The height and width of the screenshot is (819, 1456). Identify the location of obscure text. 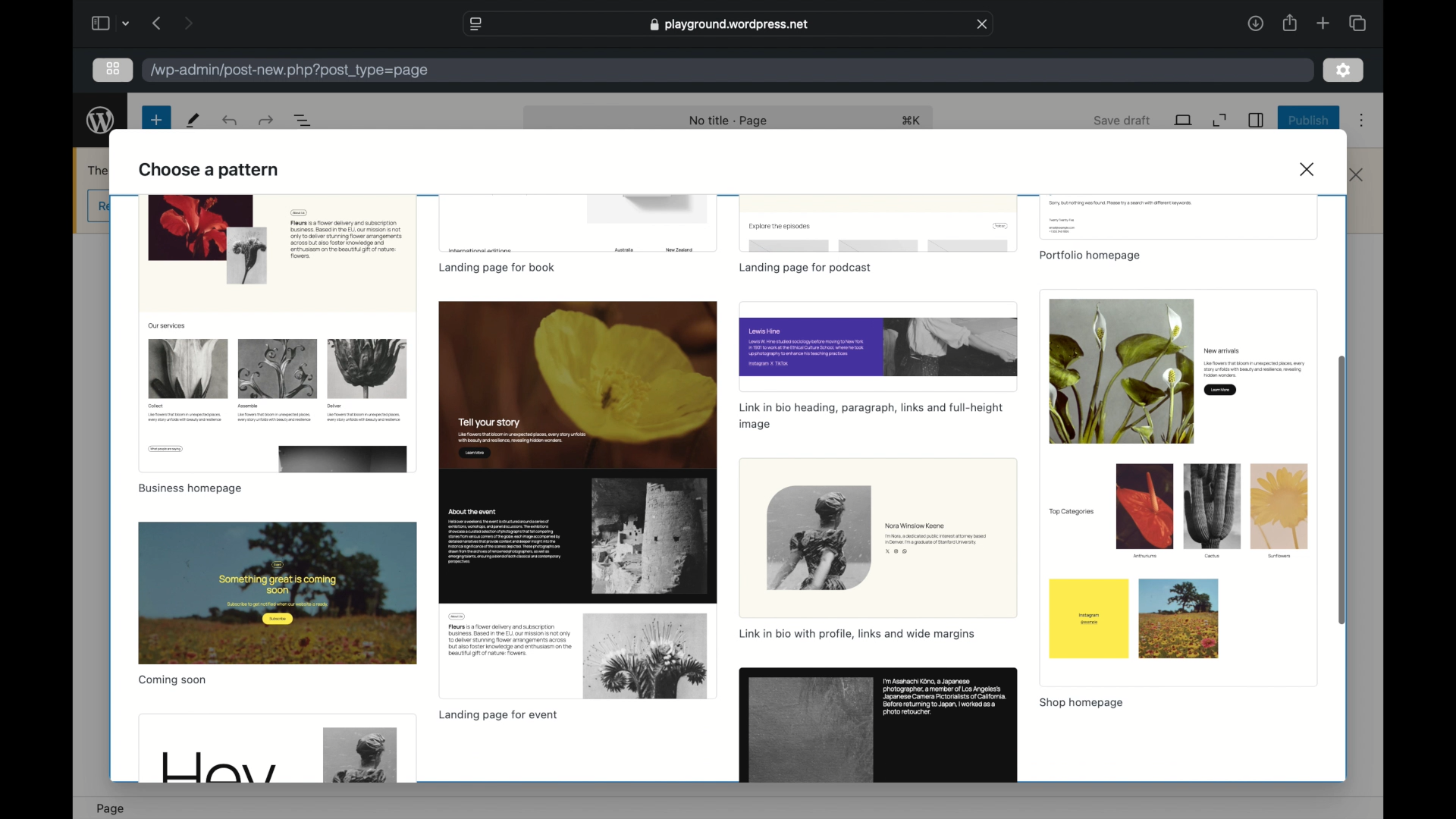
(99, 170).